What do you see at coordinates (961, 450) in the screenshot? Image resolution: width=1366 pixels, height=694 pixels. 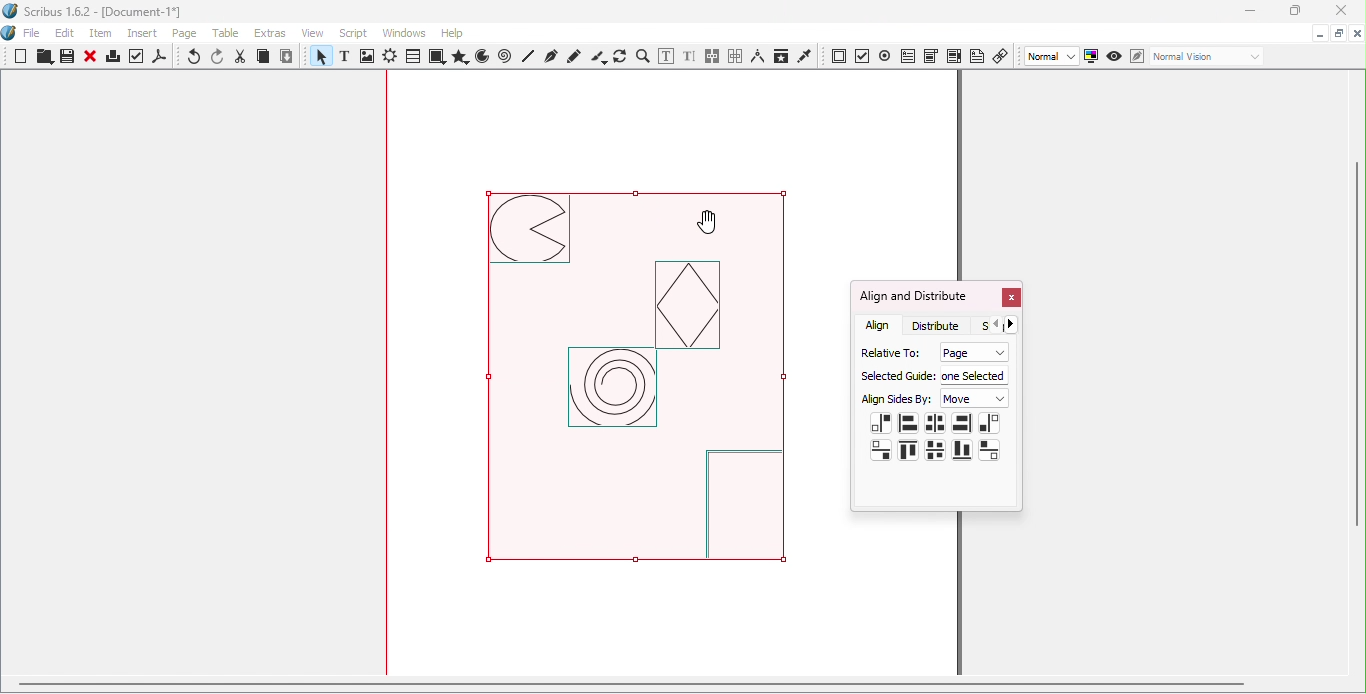 I see `Align bottoms` at bounding box center [961, 450].